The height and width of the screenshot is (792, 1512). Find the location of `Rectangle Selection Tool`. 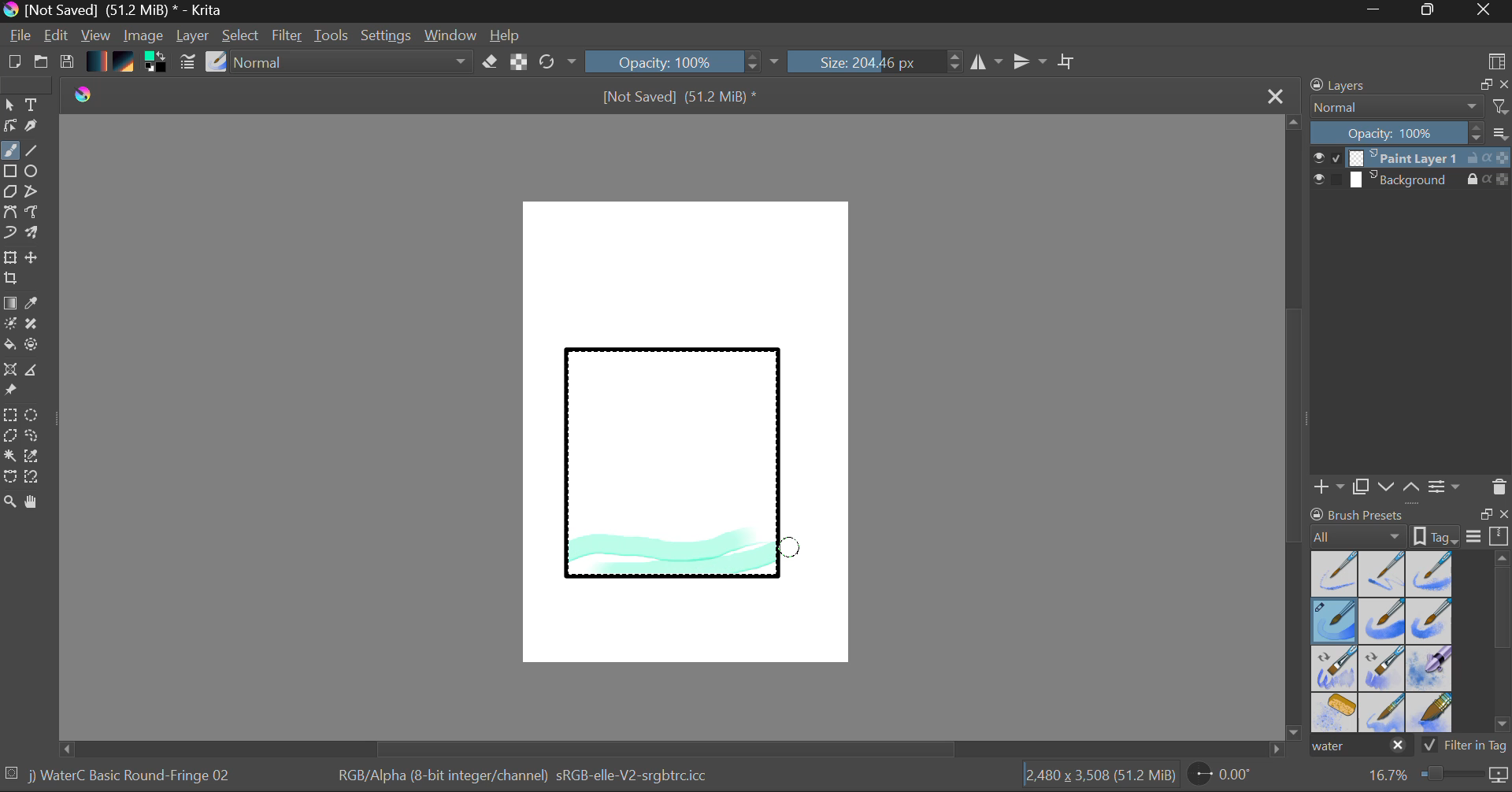

Rectangle Selection Tool is located at coordinates (9, 417).